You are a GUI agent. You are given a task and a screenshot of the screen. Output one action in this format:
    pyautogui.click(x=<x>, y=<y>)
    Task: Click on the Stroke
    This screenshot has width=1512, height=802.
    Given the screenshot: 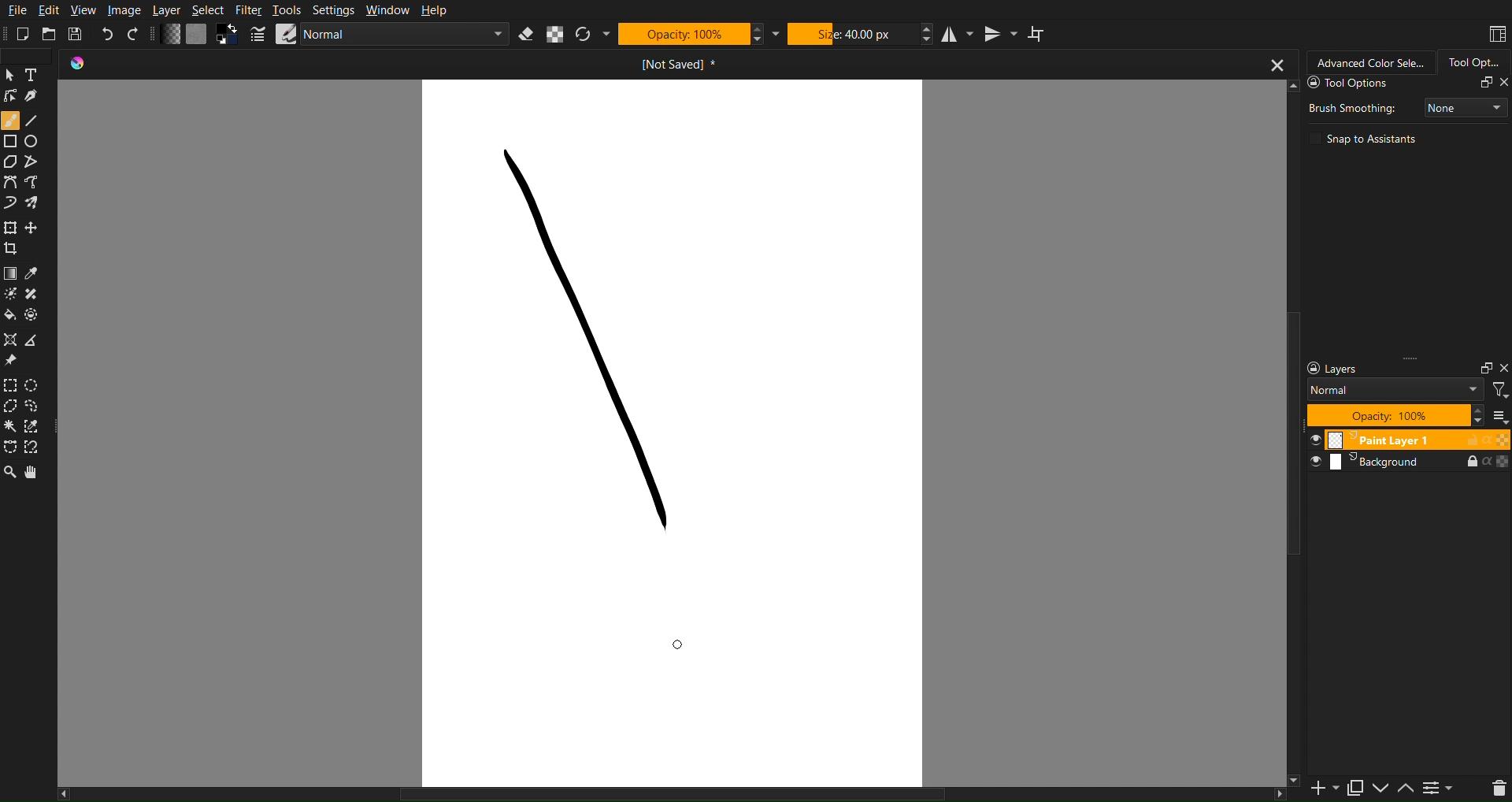 What is the action you would take?
    pyautogui.click(x=590, y=341)
    